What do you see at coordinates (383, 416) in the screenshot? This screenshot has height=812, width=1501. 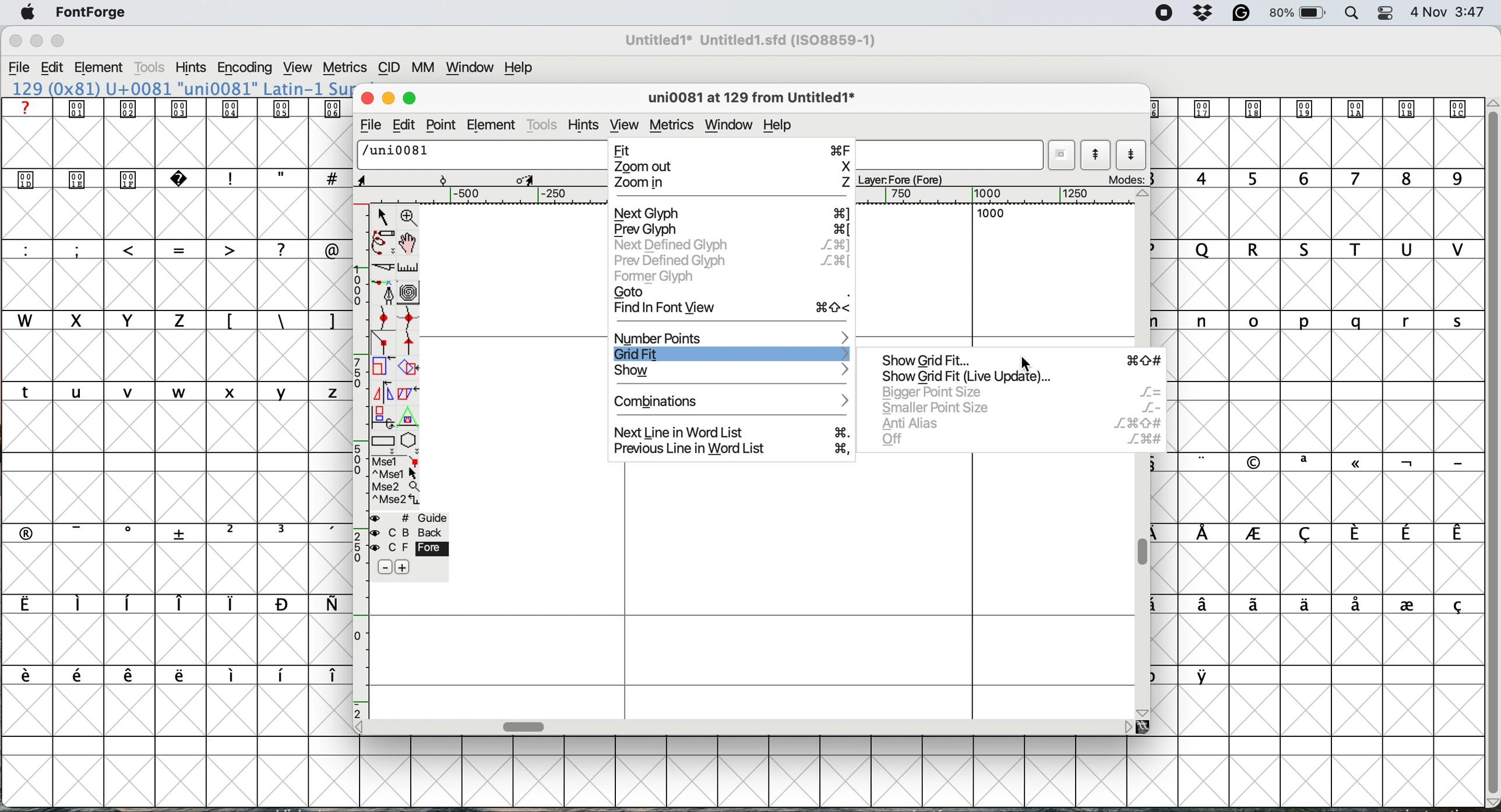 I see `rotate the selection in 3d` at bounding box center [383, 416].